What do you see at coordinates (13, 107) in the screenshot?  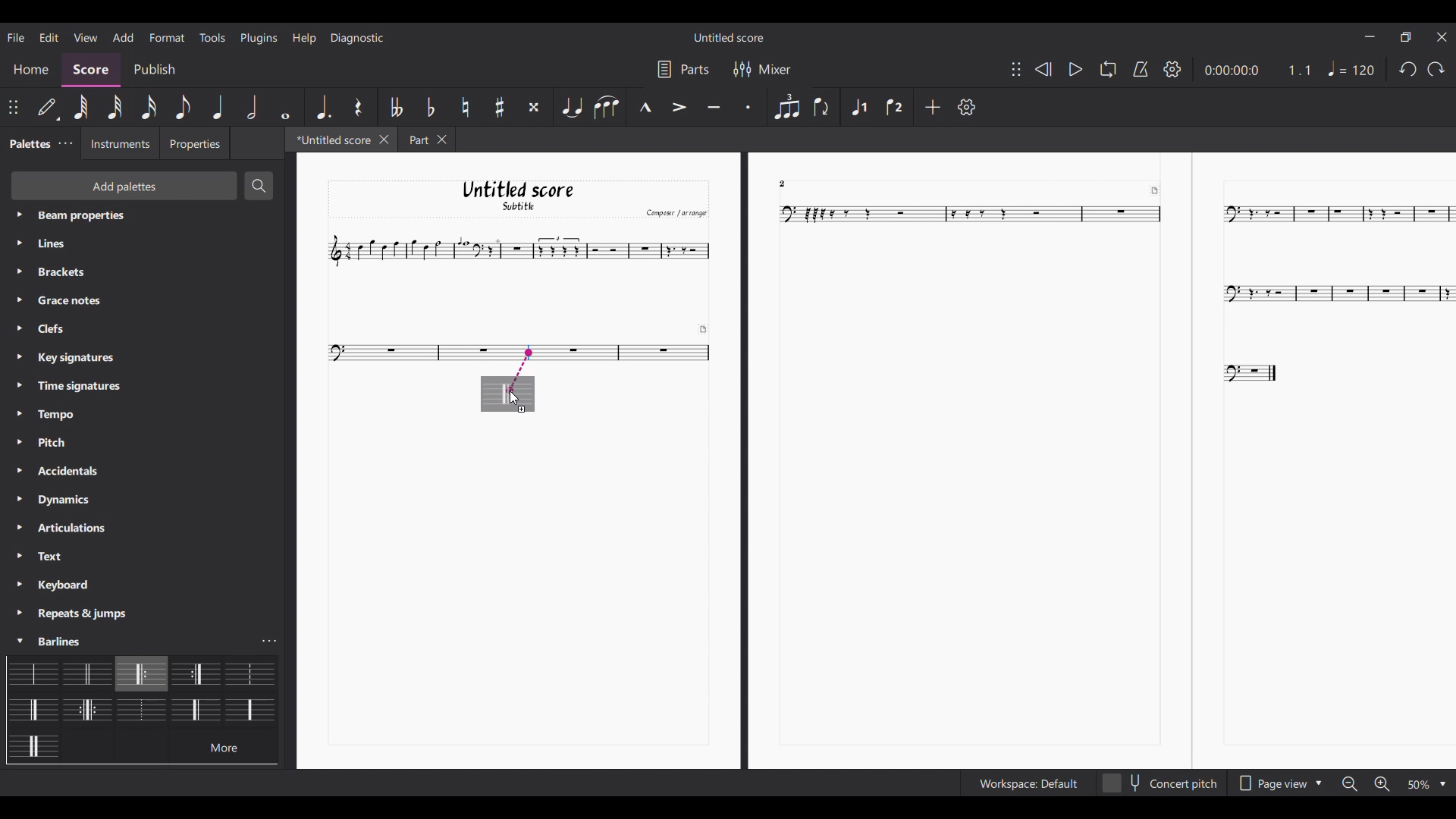 I see `Change position` at bounding box center [13, 107].